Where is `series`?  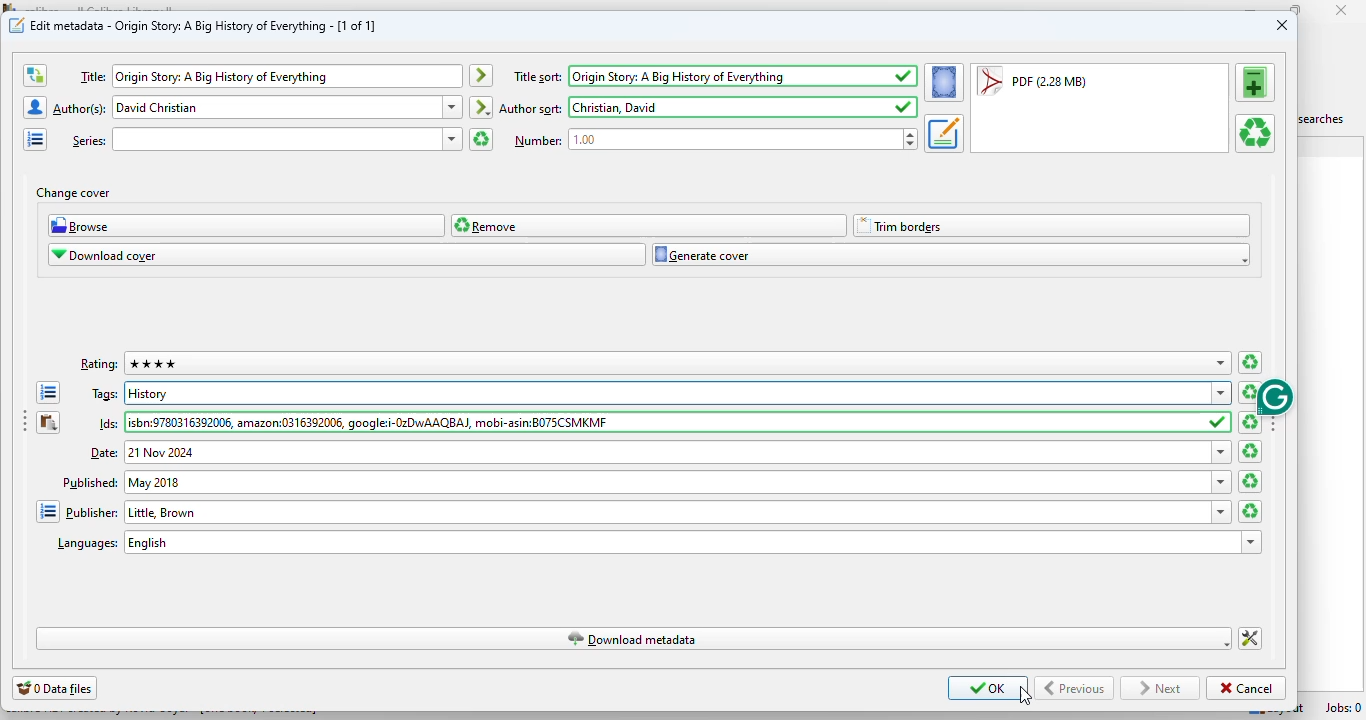
series is located at coordinates (277, 139).